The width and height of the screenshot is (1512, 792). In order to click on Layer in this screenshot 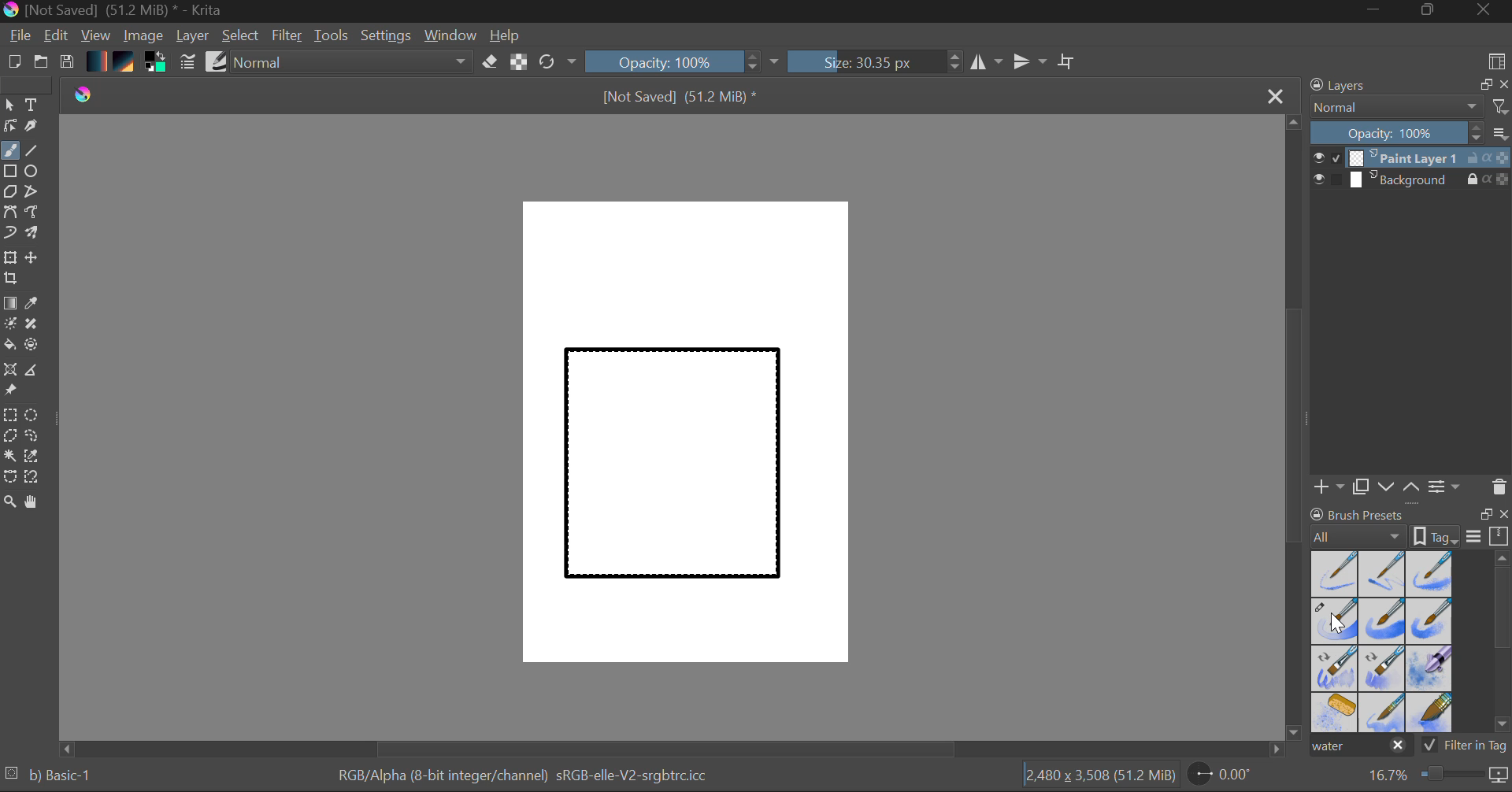, I will do `click(195, 35)`.